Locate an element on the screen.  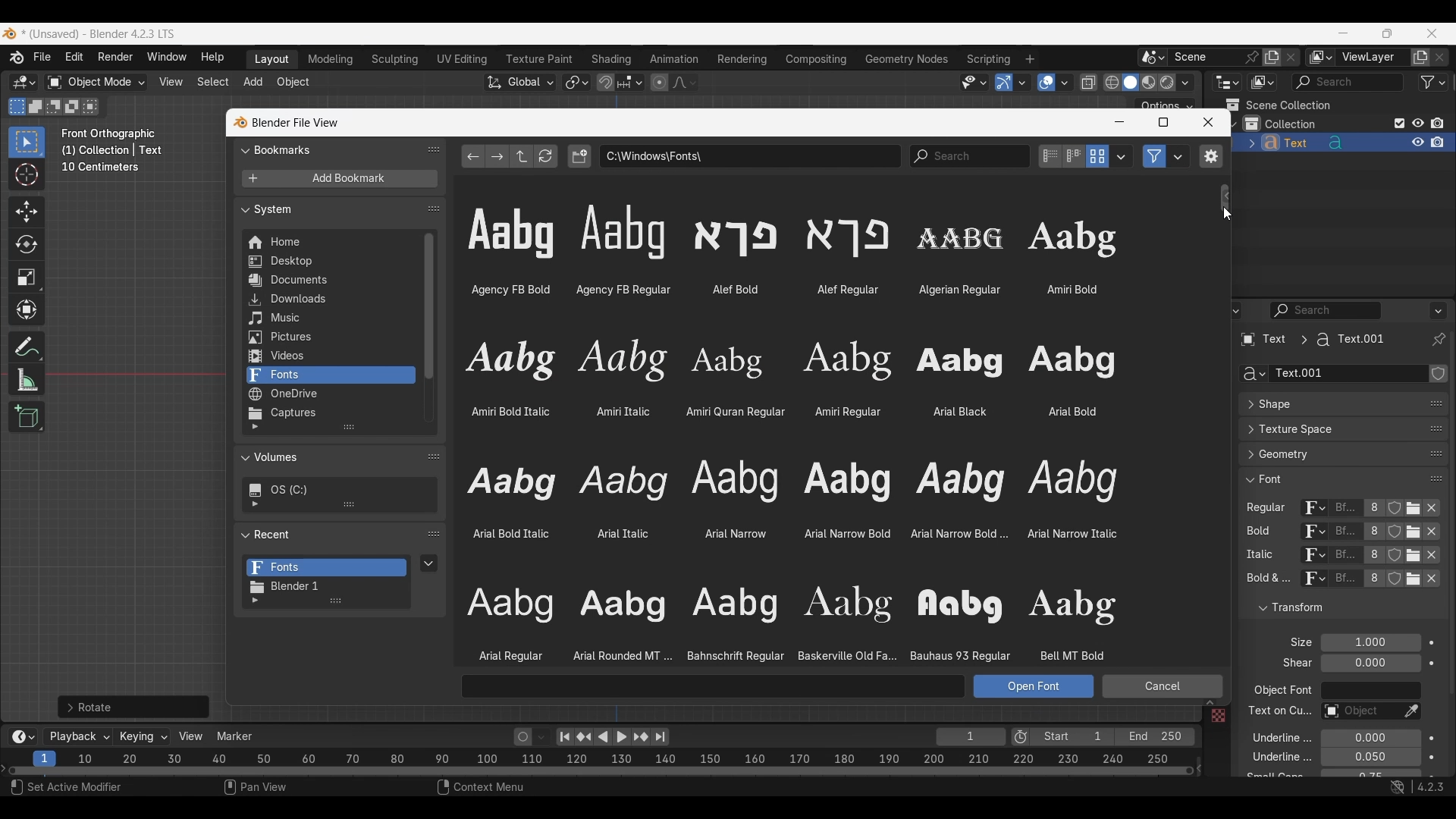
Shading workspace  is located at coordinates (613, 59).